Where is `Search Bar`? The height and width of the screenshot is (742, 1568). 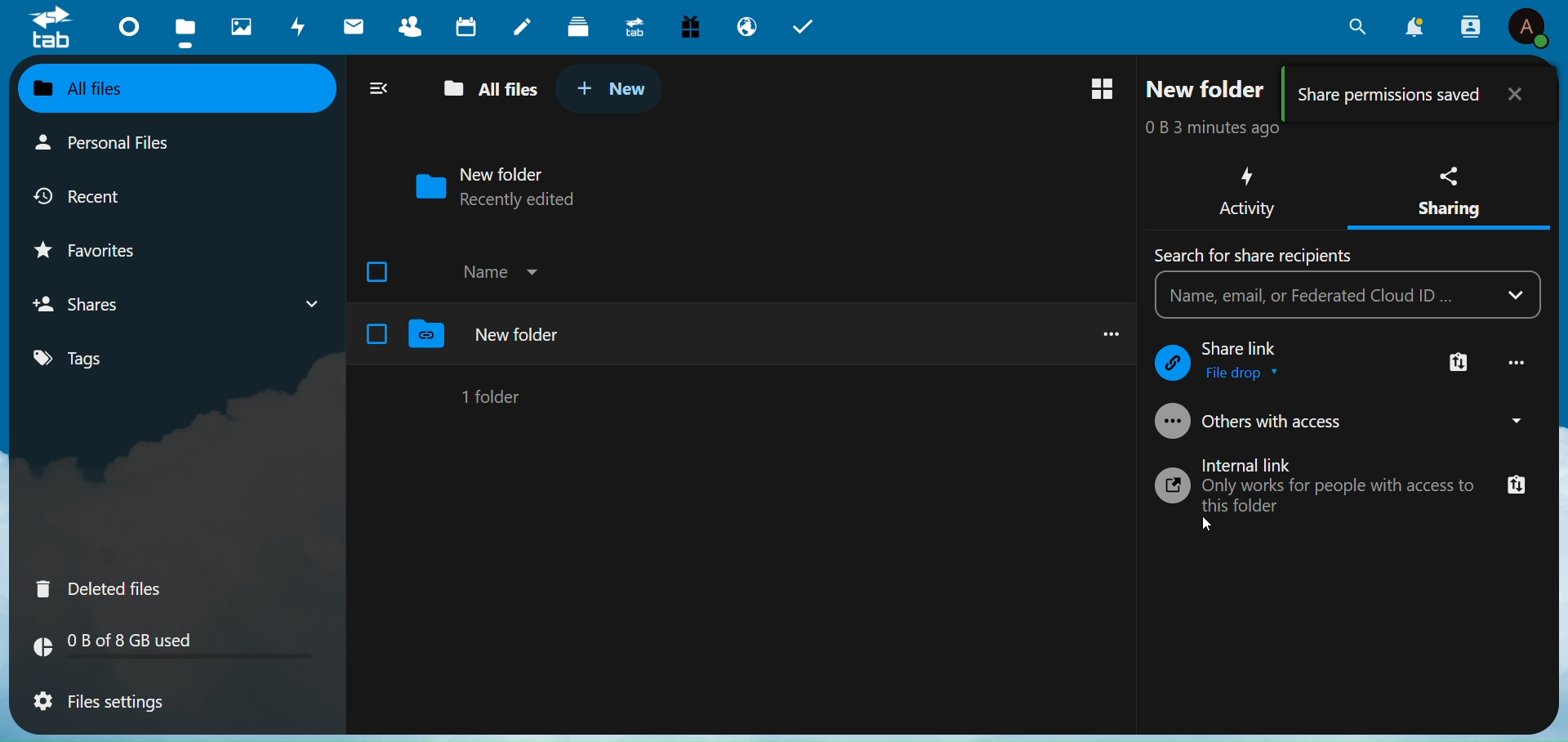
Search Bar is located at coordinates (1323, 296).